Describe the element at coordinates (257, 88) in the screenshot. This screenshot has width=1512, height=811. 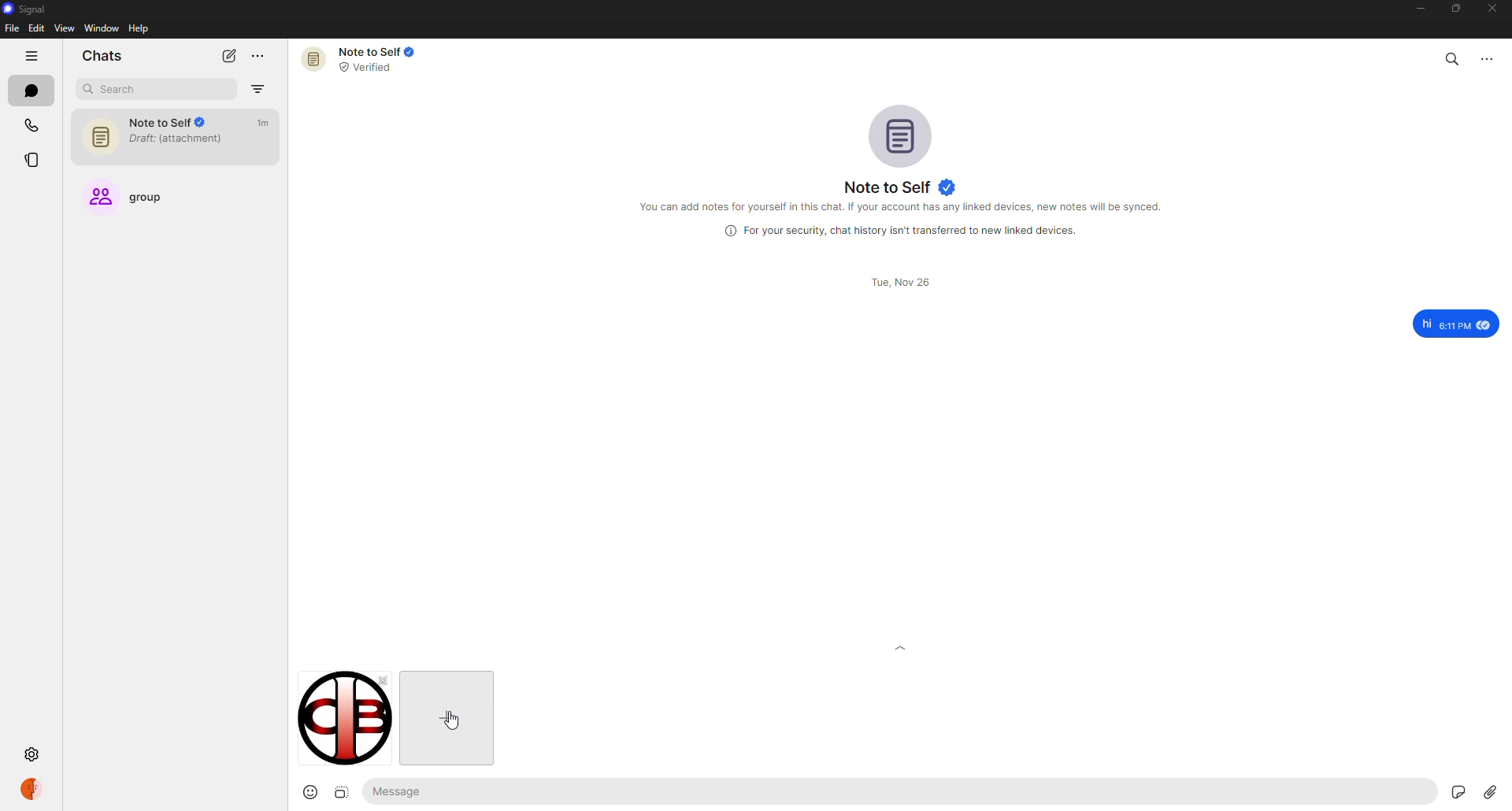
I see `filter` at that location.